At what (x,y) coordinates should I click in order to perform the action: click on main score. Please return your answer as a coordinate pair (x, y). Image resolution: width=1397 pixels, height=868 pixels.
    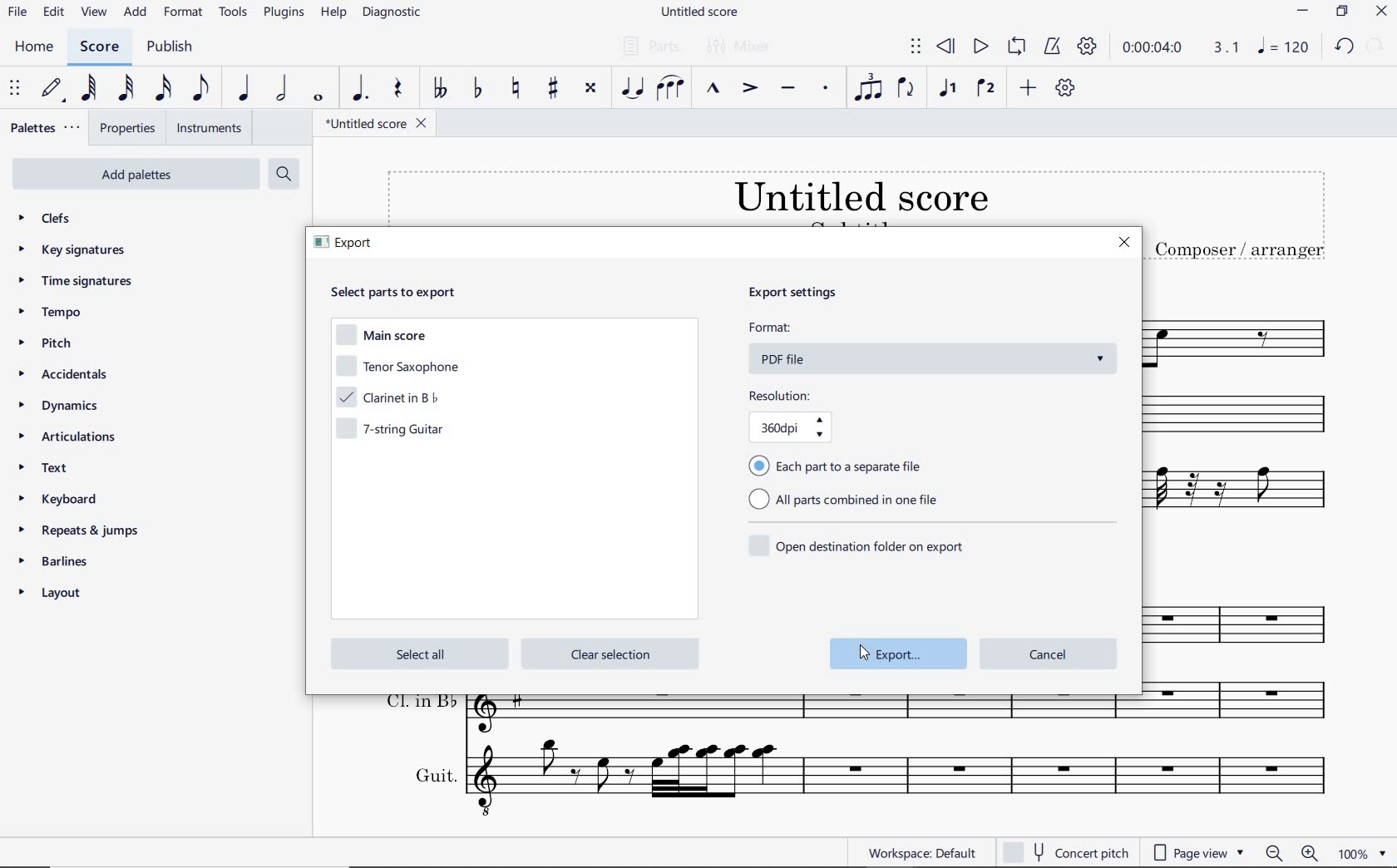
    Looking at the image, I should click on (384, 338).